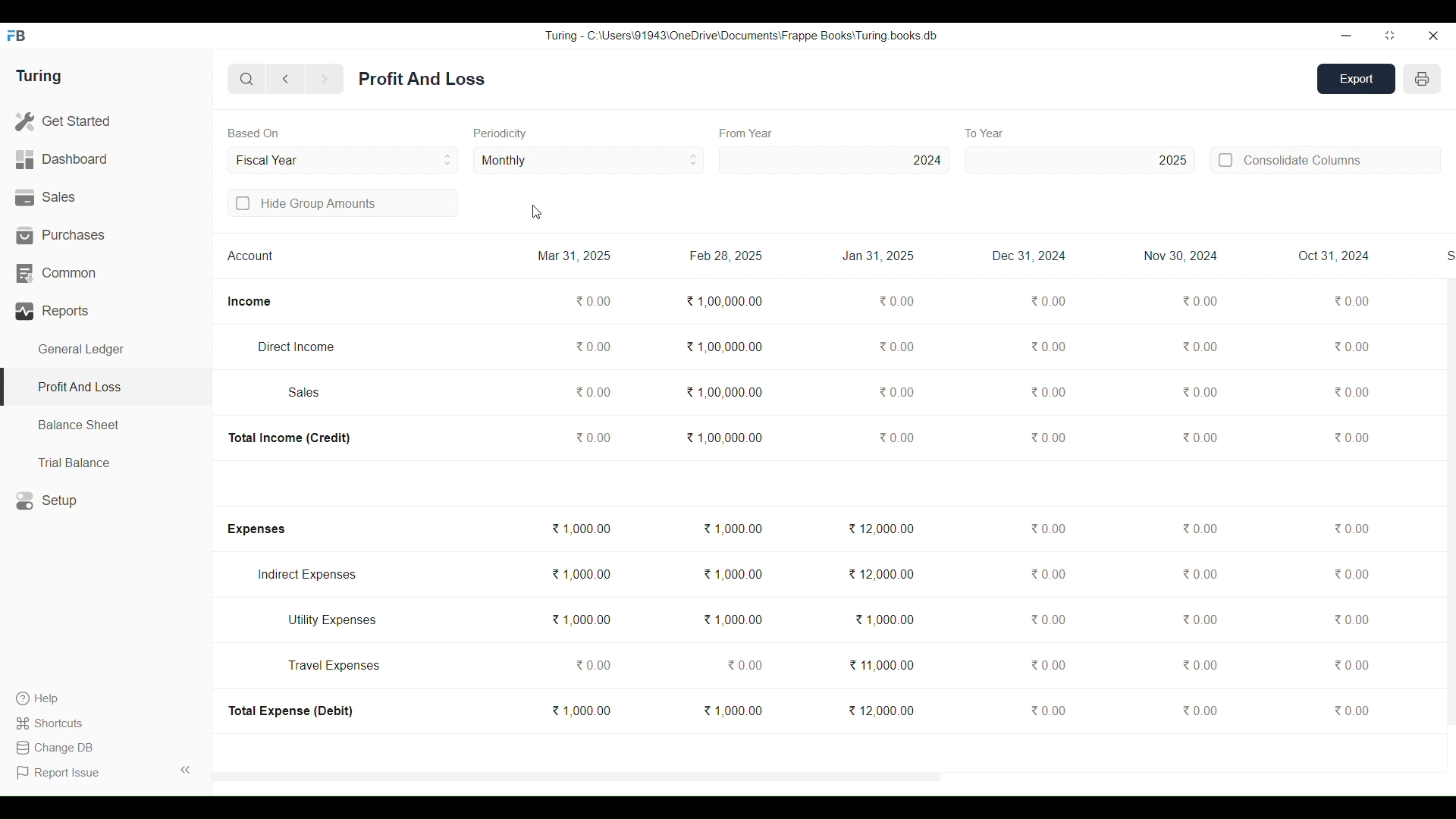 The width and height of the screenshot is (1456, 819). What do you see at coordinates (742, 35) in the screenshot?
I see `Turing - C:\Users\91943\0neDrive\Documents Frappe Books\Turing books db` at bounding box center [742, 35].